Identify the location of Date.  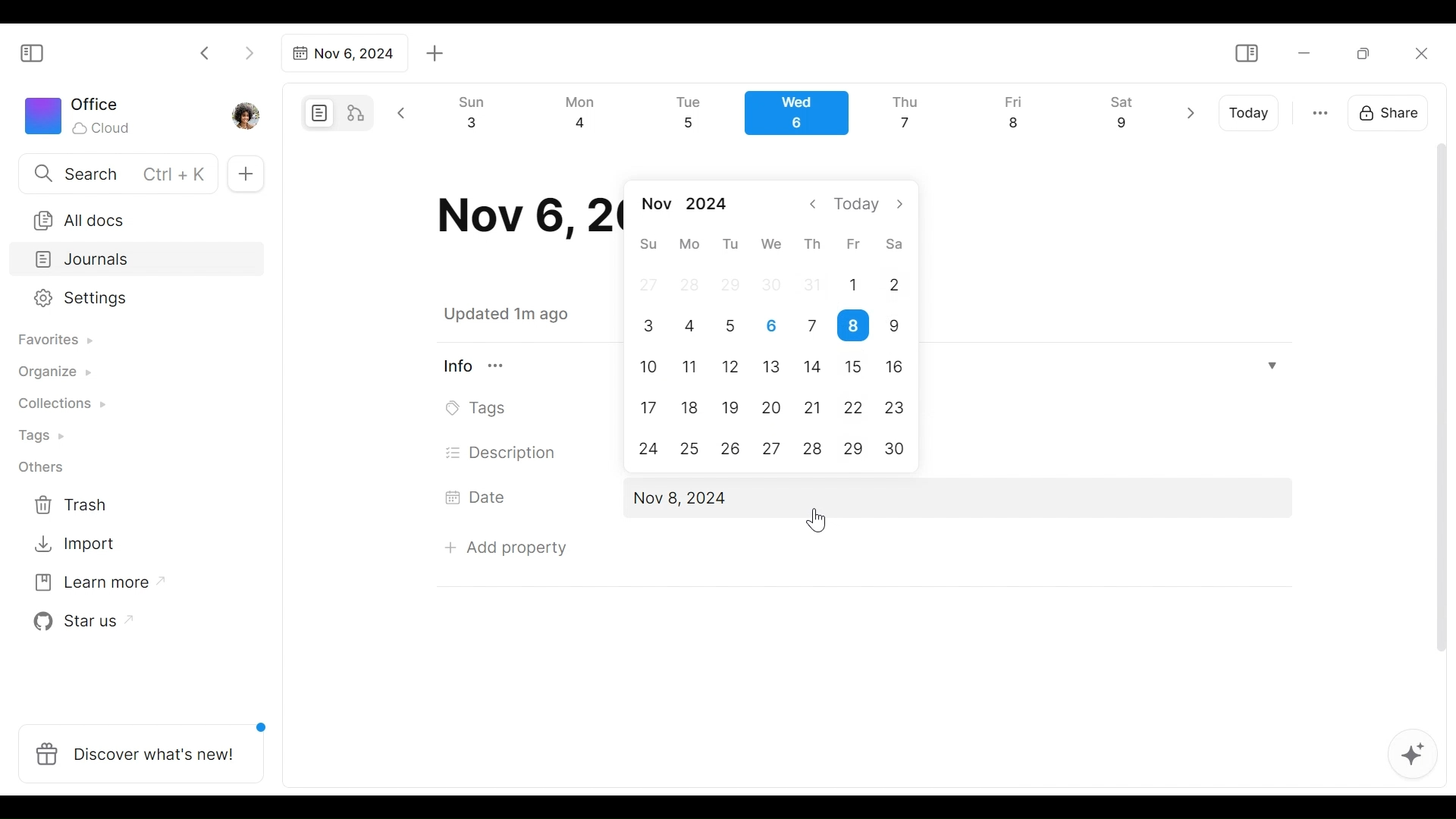
(481, 497).